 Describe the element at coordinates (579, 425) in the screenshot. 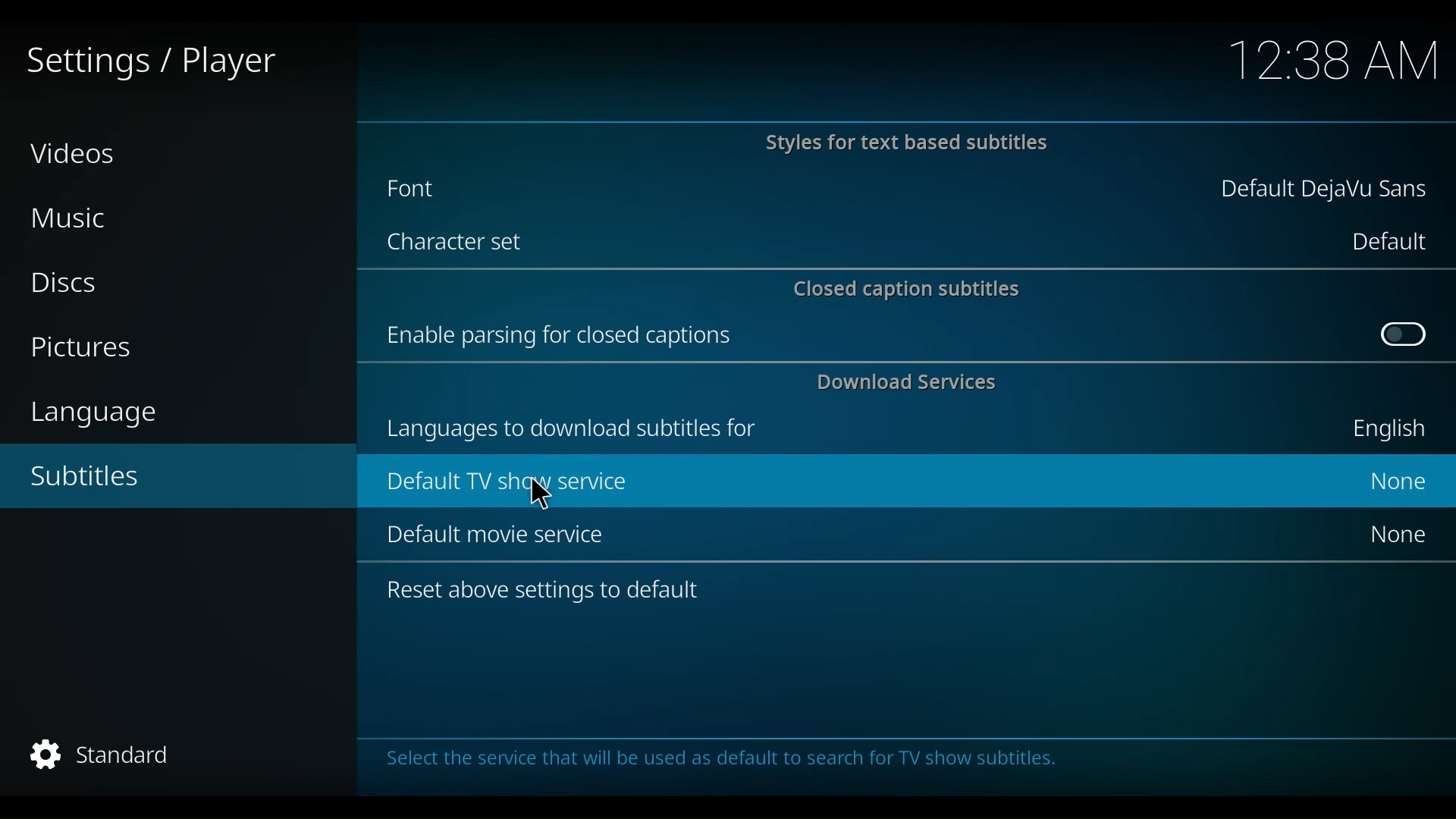

I see `languages to download subtitles for` at that location.